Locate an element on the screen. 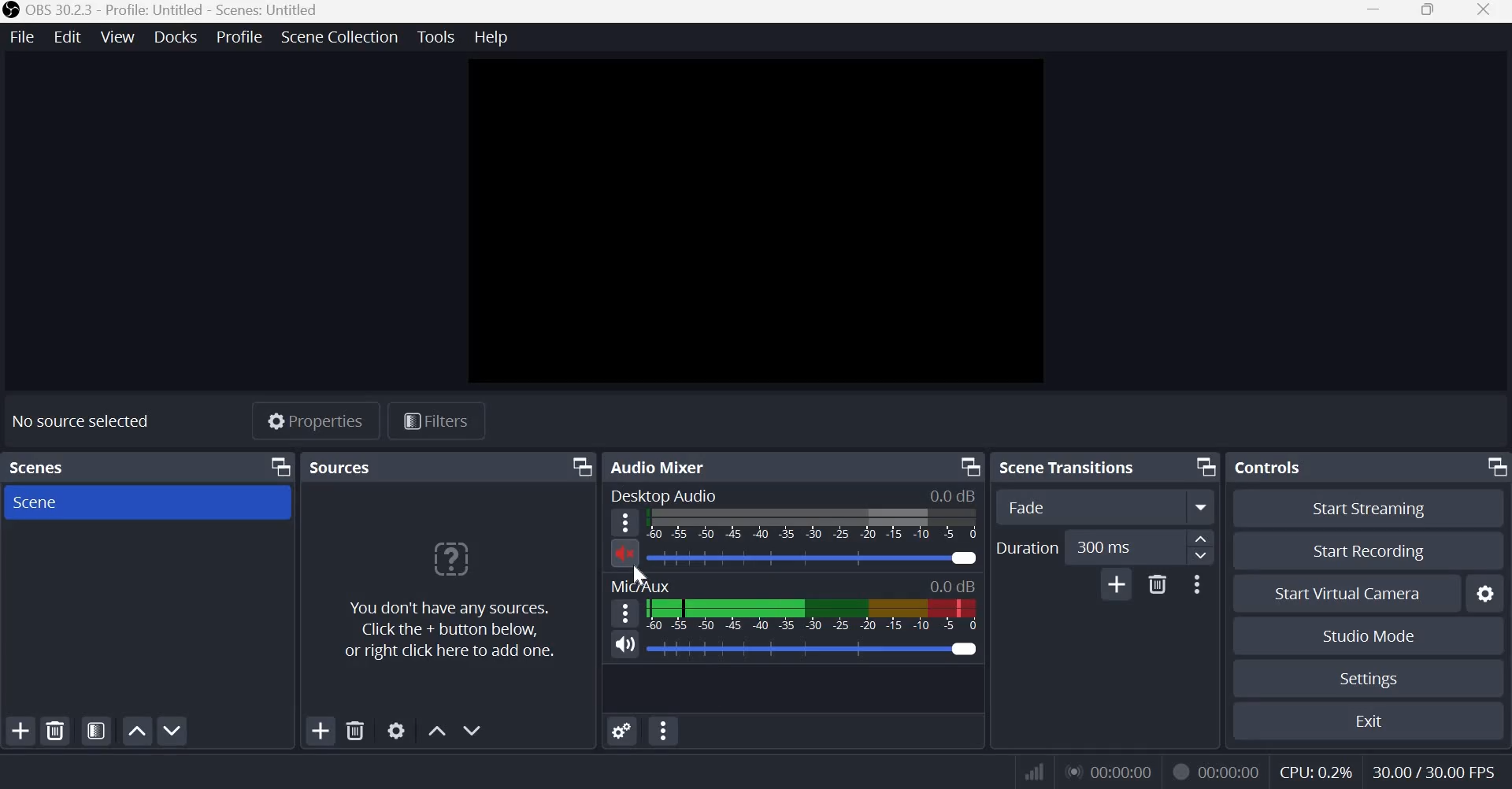 The height and width of the screenshot is (789, 1512). Desktop Audio is located at coordinates (663, 496).